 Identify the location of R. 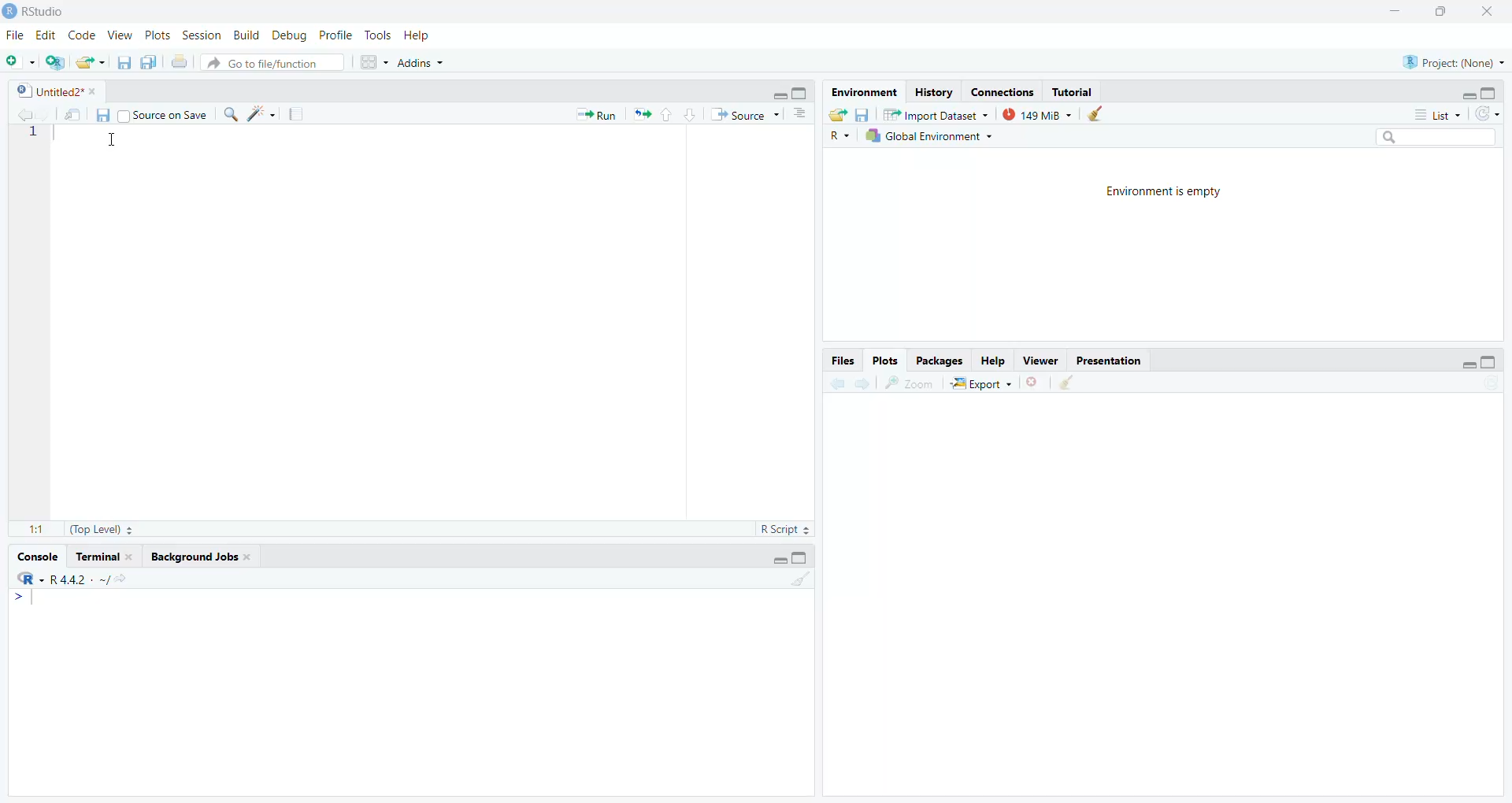
(27, 579).